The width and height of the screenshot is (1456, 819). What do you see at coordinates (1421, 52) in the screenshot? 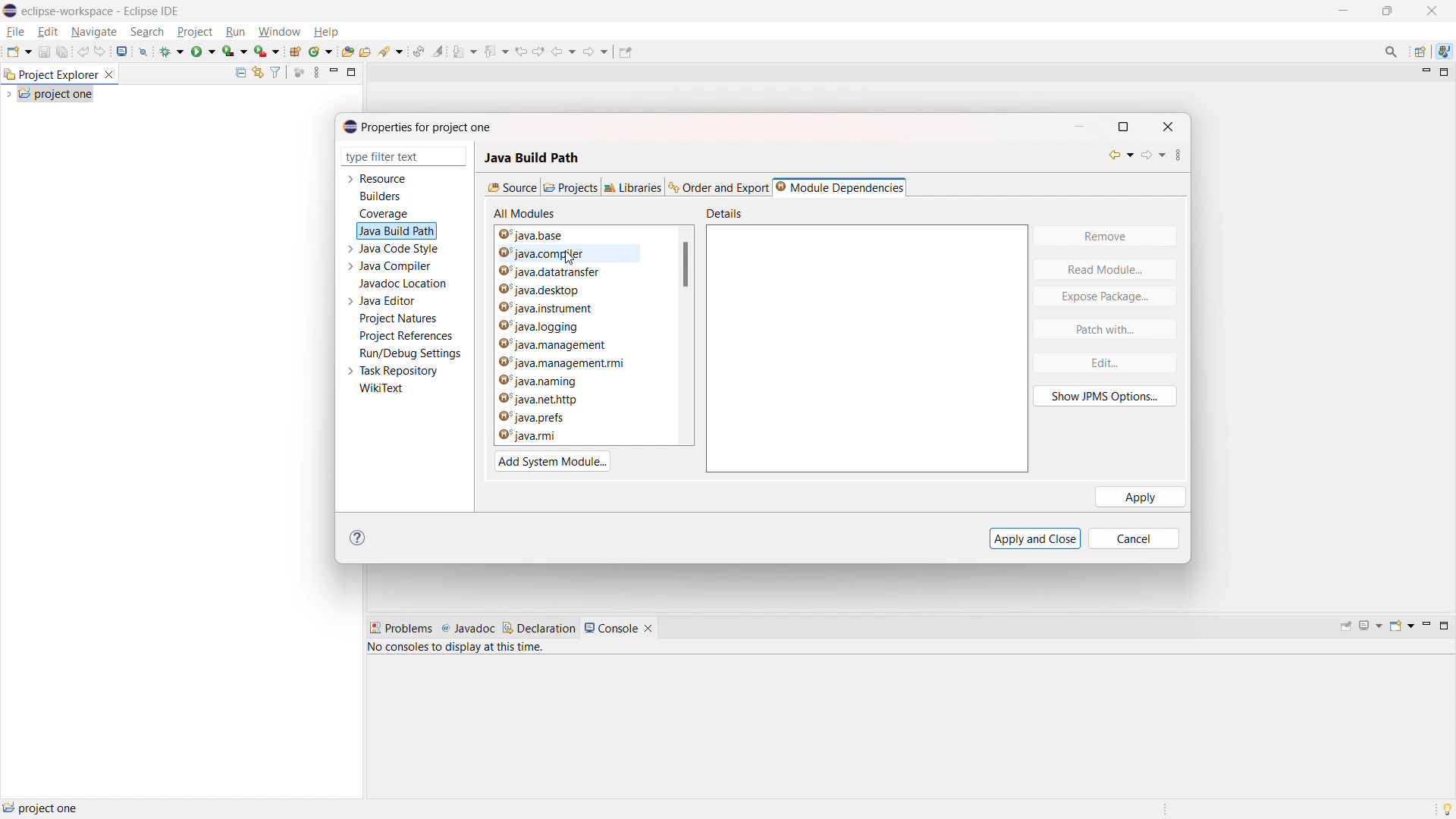
I see `open perspective` at bounding box center [1421, 52].